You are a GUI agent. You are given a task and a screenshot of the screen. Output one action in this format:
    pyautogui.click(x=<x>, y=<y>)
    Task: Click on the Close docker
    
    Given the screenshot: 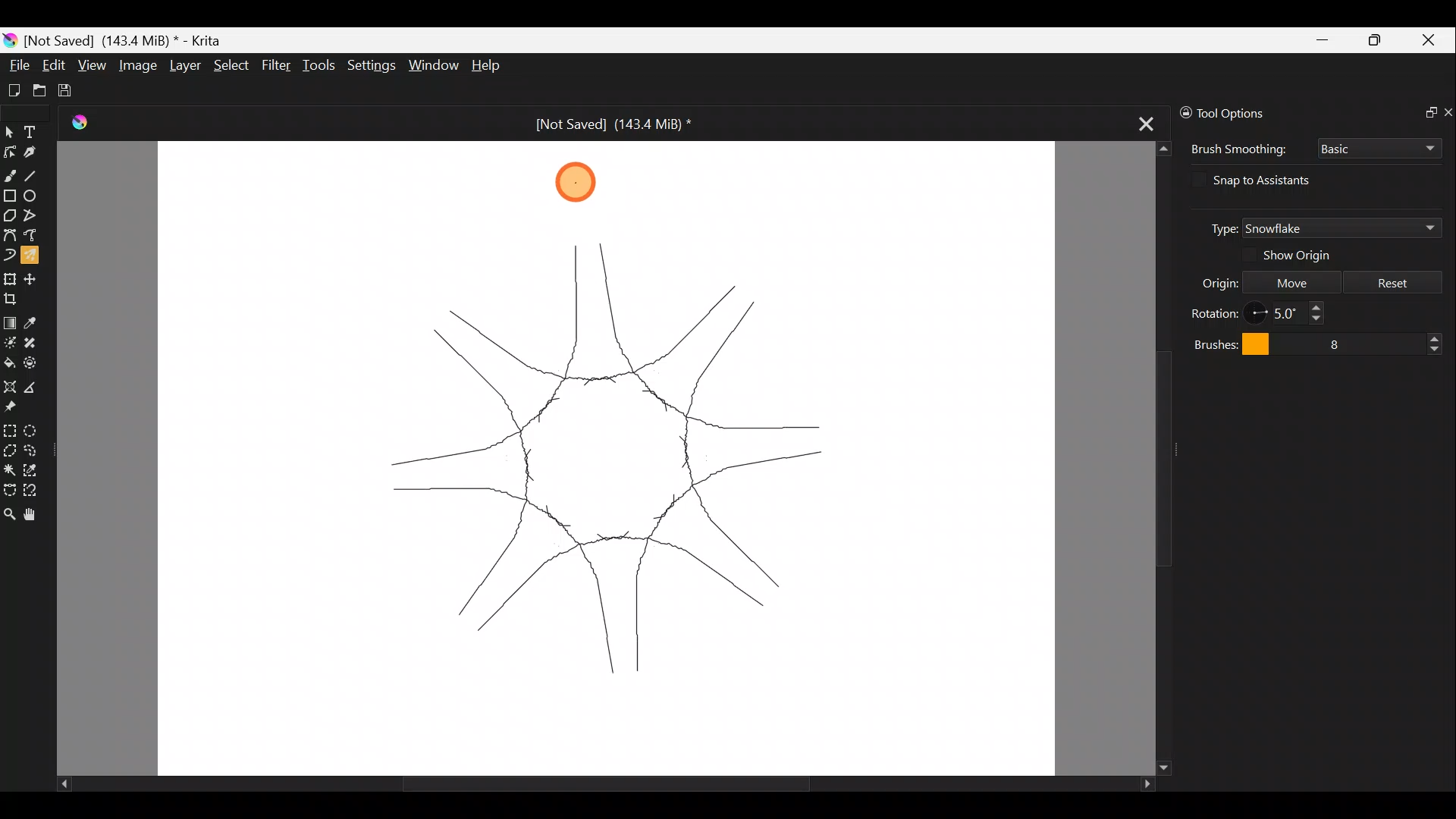 What is the action you would take?
    pyautogui.click(x=1447, y=109)
    